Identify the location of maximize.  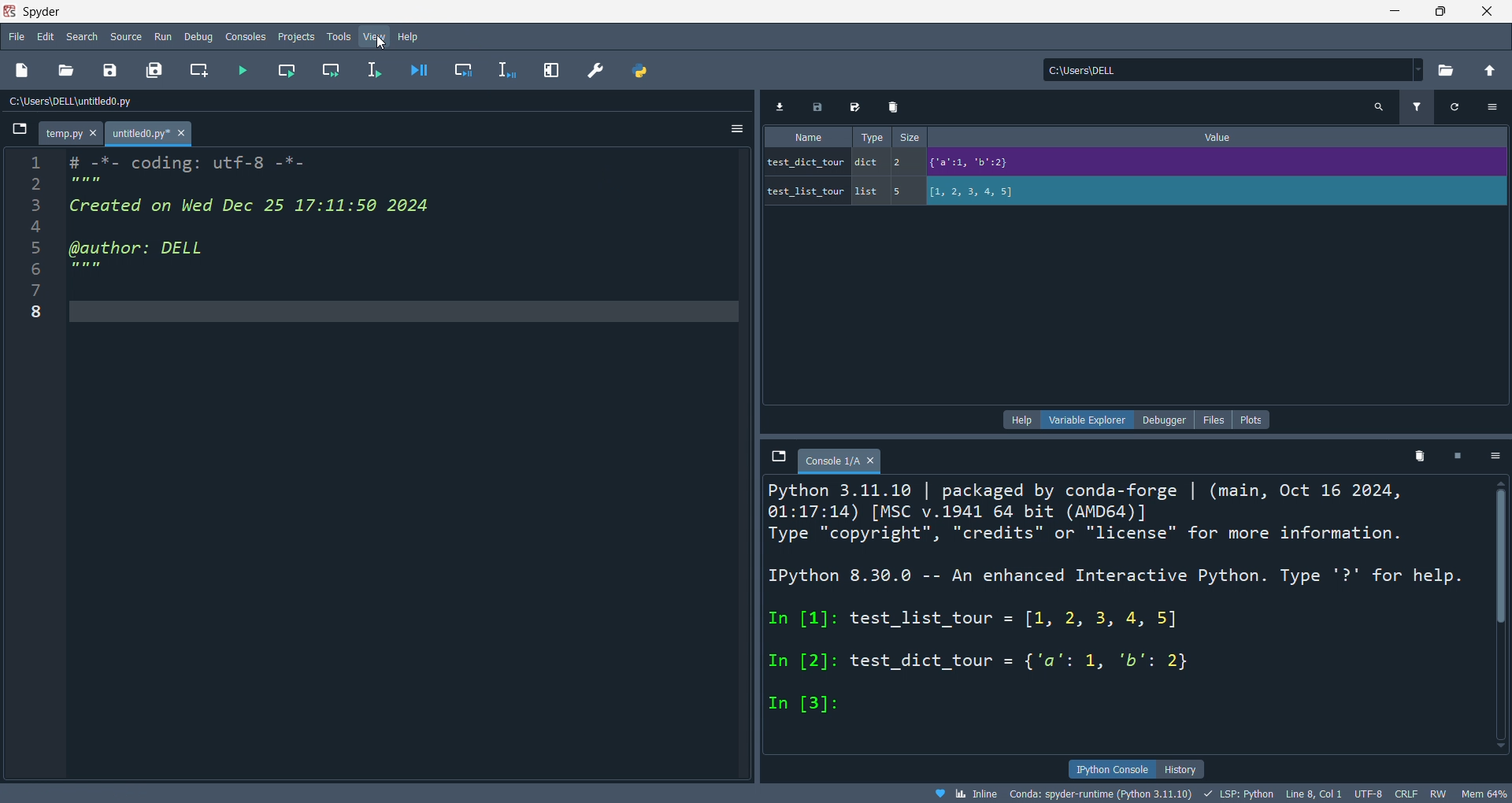
(1441, 10).